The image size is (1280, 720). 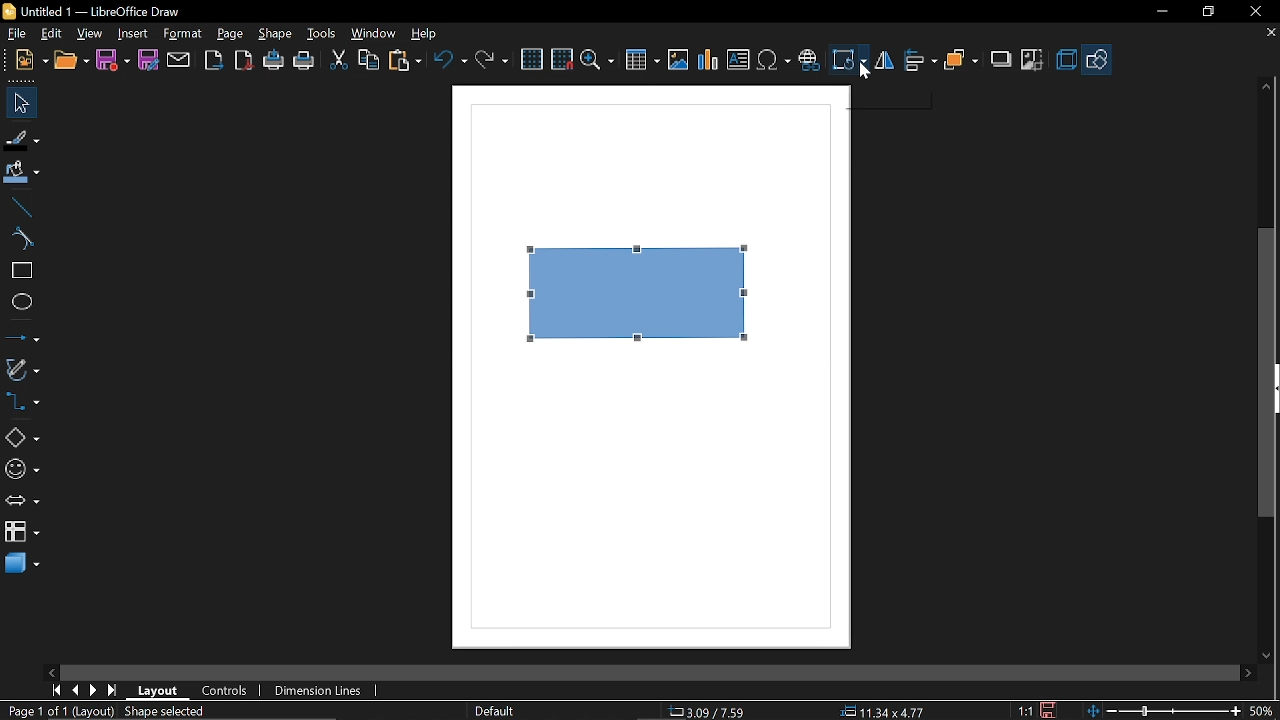 What do you see at coordinates (1161, 12) in the screenshot?
I see `minimize` at bounding box center [1161, 12].